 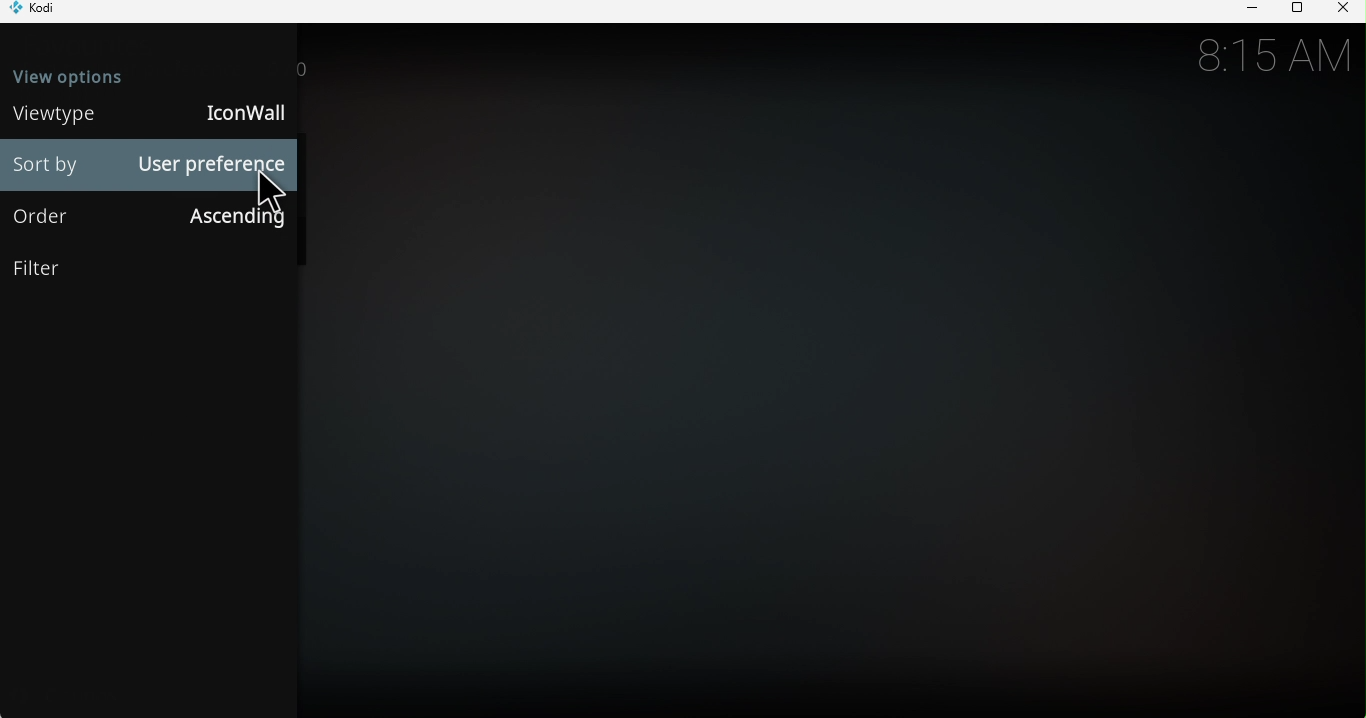 What do you see at coordinates (148, 270) in the screenshot?
I see `Filter` at bounding box center [148, 270].